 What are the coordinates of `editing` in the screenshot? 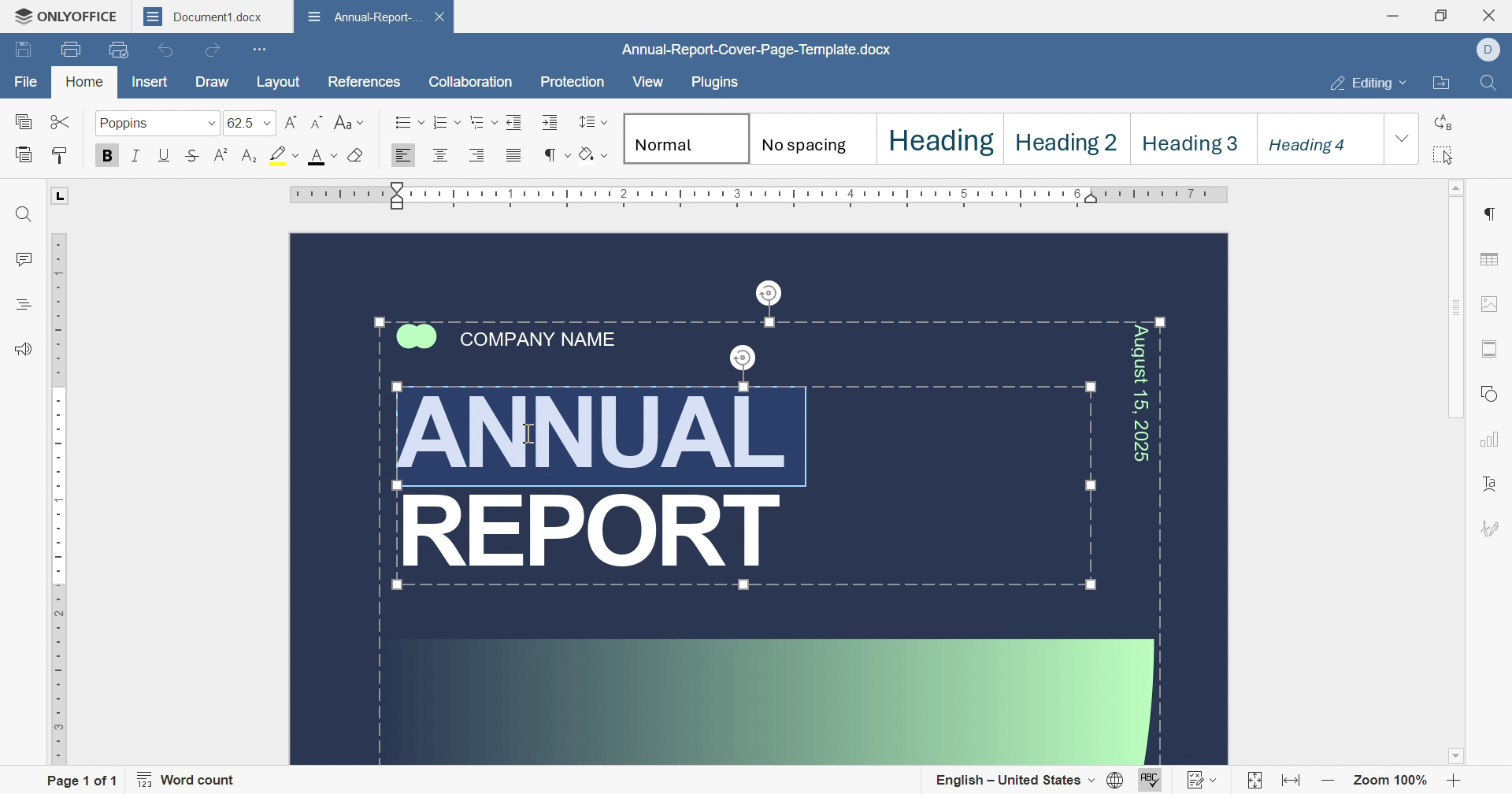 It's located at (1369, 86).